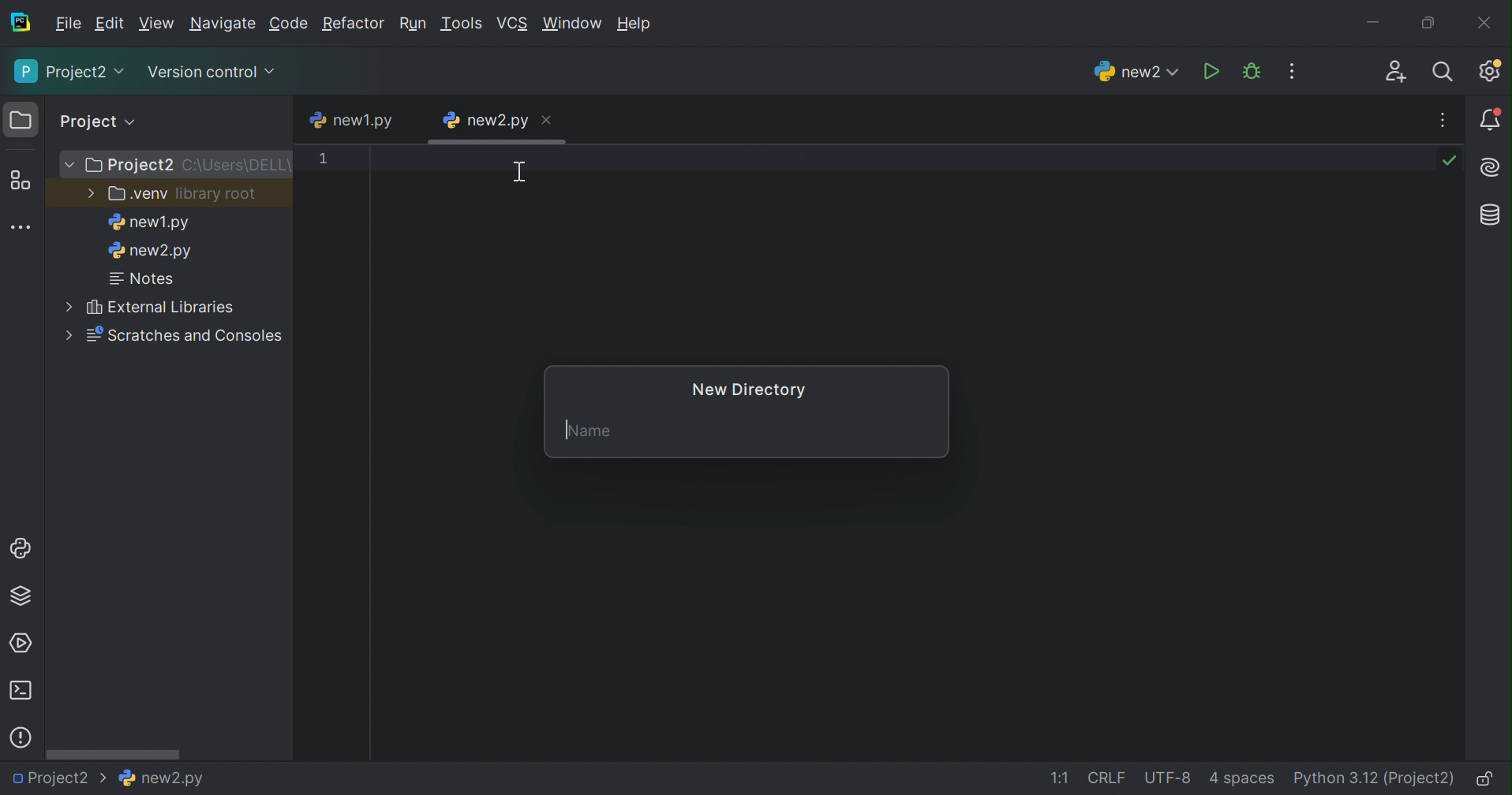 The width and height of the screenshot is (1512, 795). What do you see at coordinates (1445, 120) in the screenshot?
I see `Recent file, tab actions, and more` at bounding box center [1445, 120].